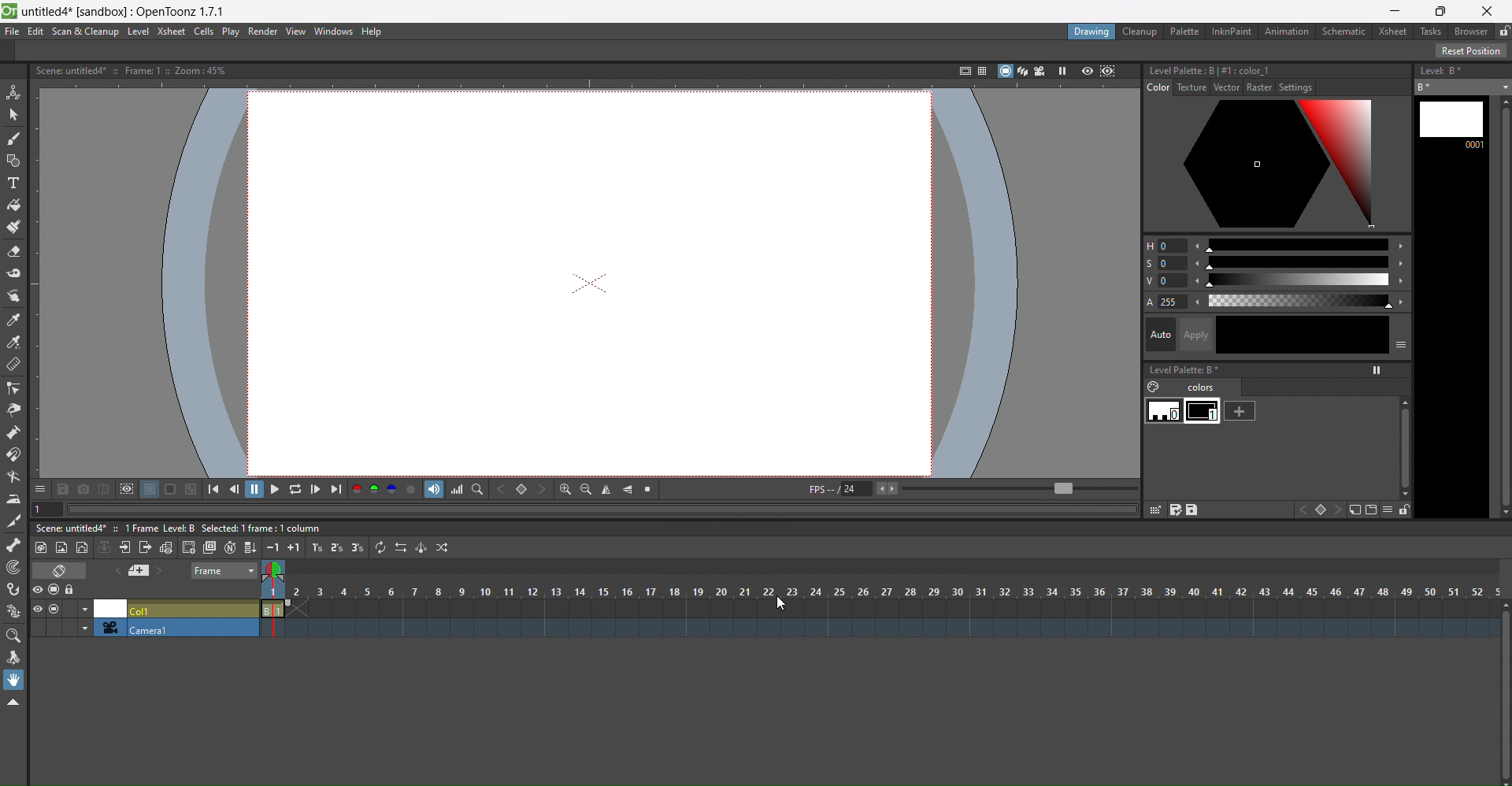 The width and height of the screenshot is (1512, 786). Describe the element at coordinates (56, 588) in the screenshot. I see `` at that location.